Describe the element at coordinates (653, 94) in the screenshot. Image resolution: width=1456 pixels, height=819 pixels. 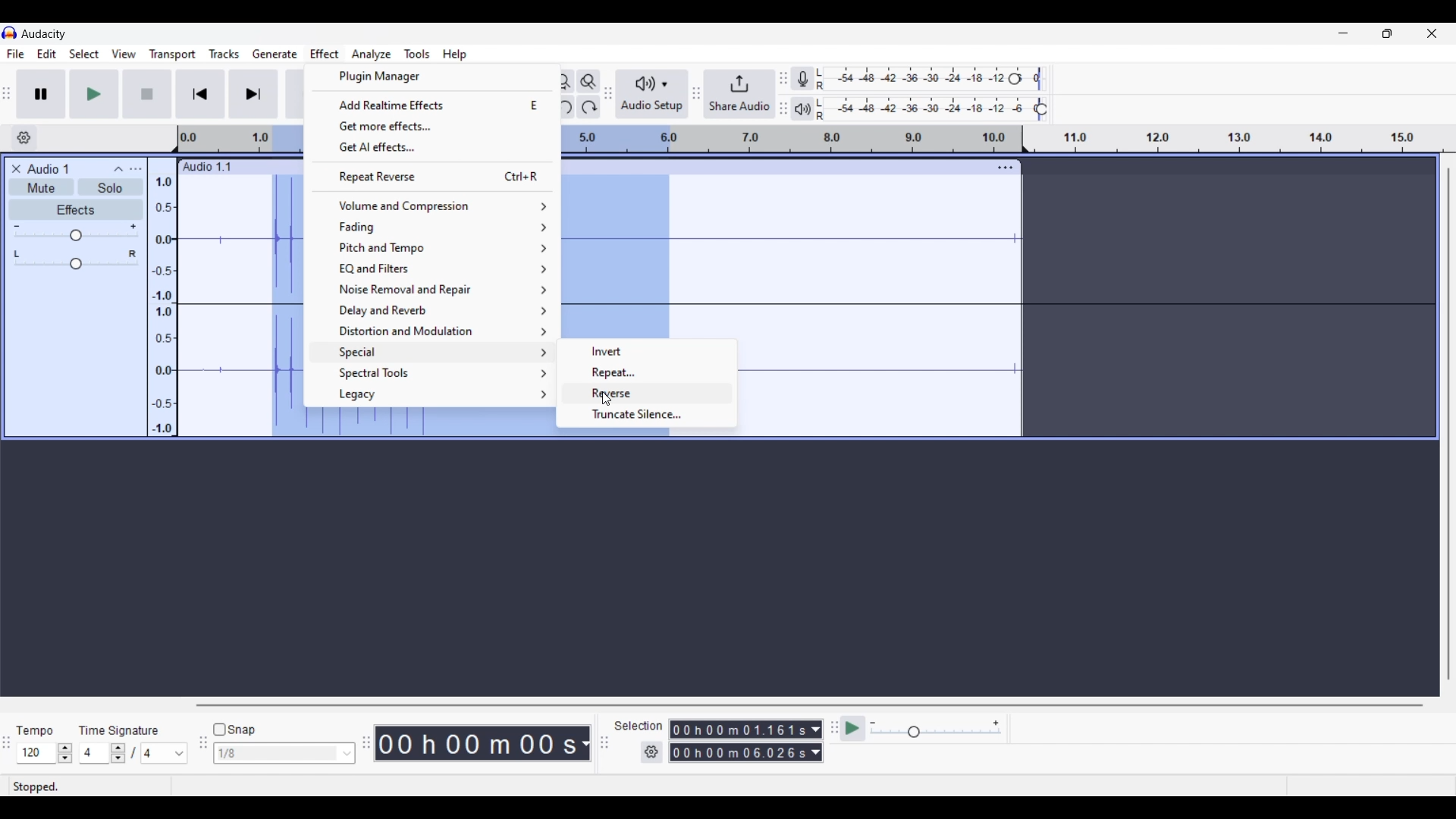
I see `Audio setup` at that location.